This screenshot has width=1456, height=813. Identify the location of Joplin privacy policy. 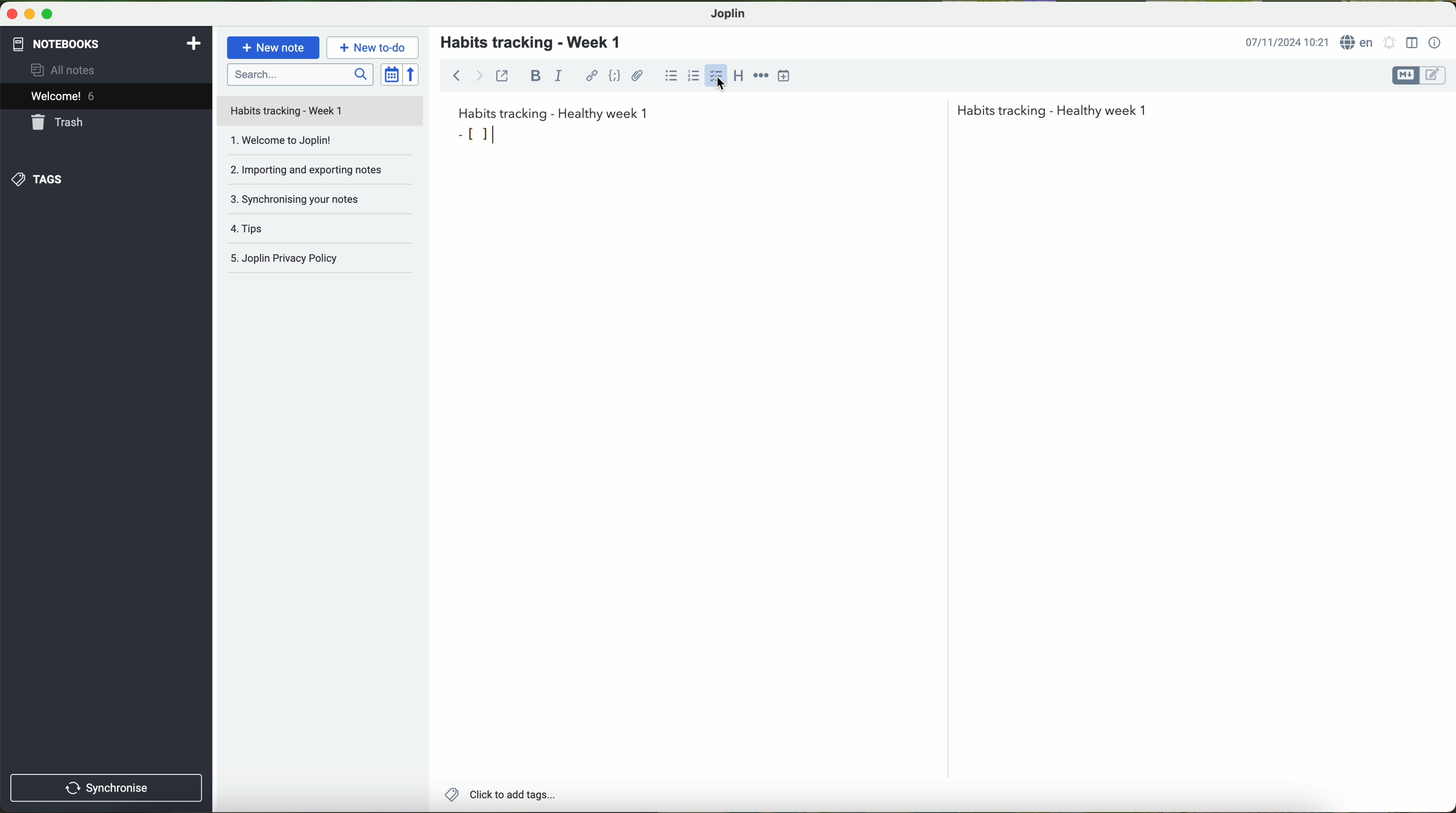
(321, 260).